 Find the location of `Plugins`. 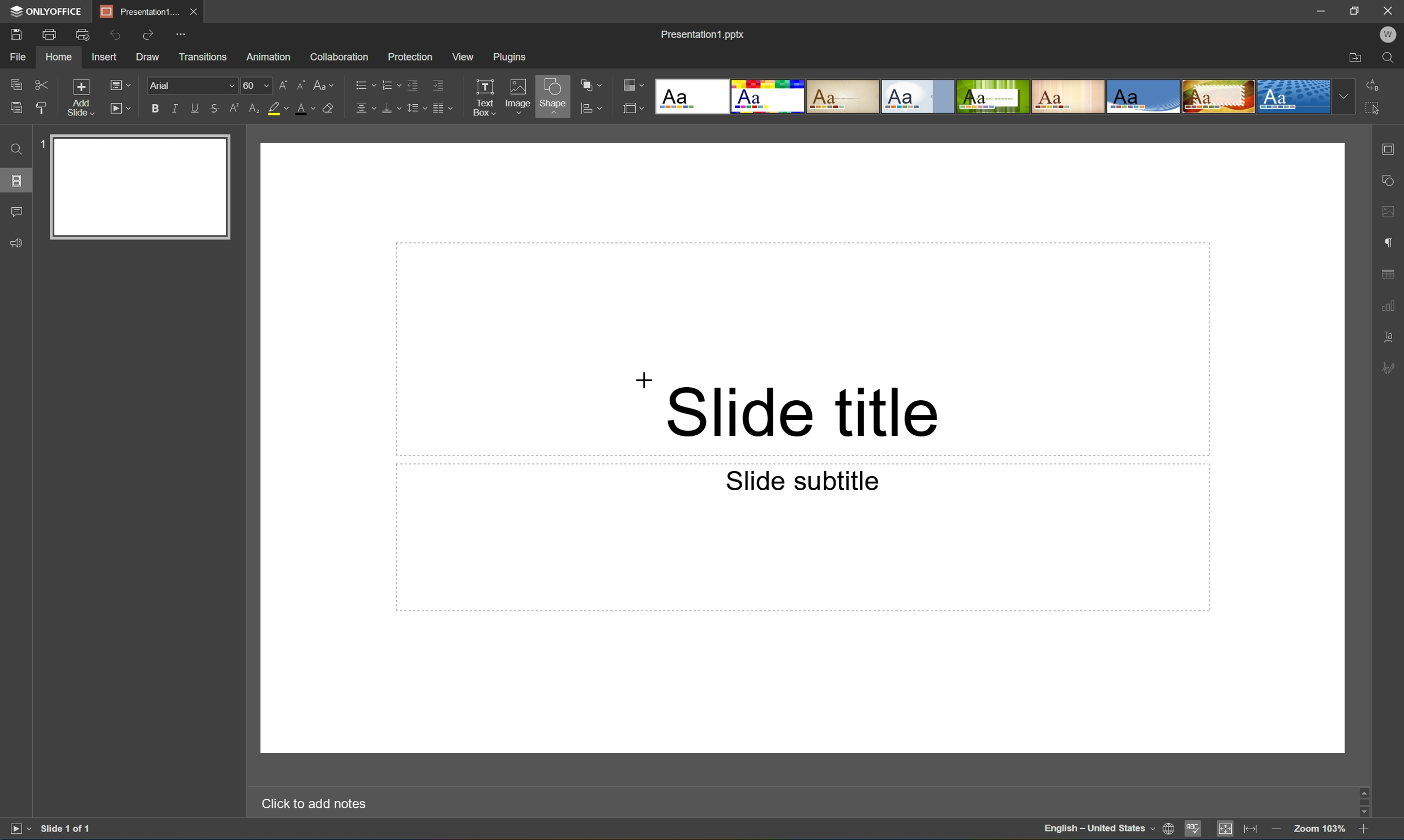

Plugins is located at coordinates (508, 57).